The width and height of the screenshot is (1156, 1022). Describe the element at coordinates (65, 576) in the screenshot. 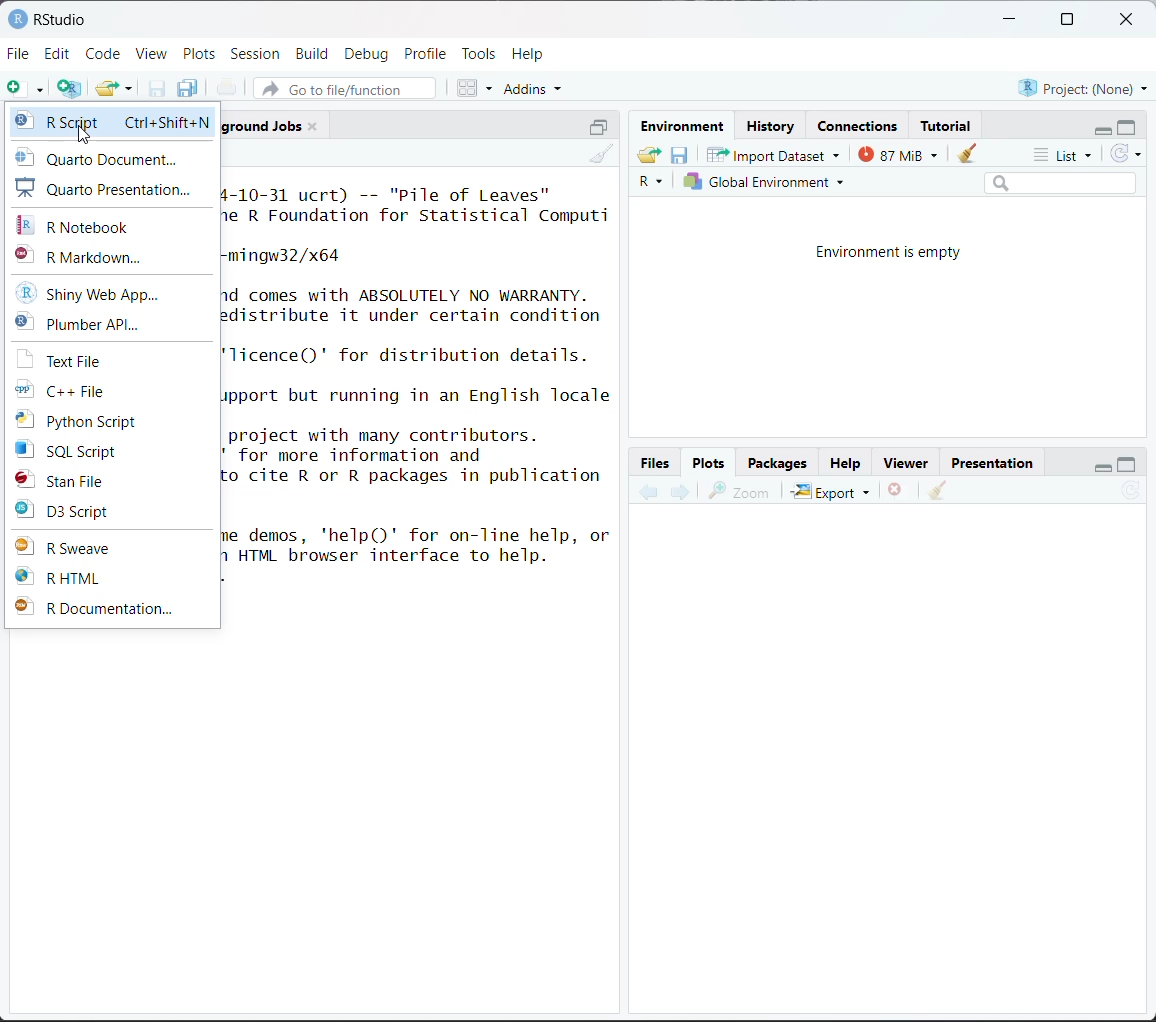

I see `R HTML` at that location.